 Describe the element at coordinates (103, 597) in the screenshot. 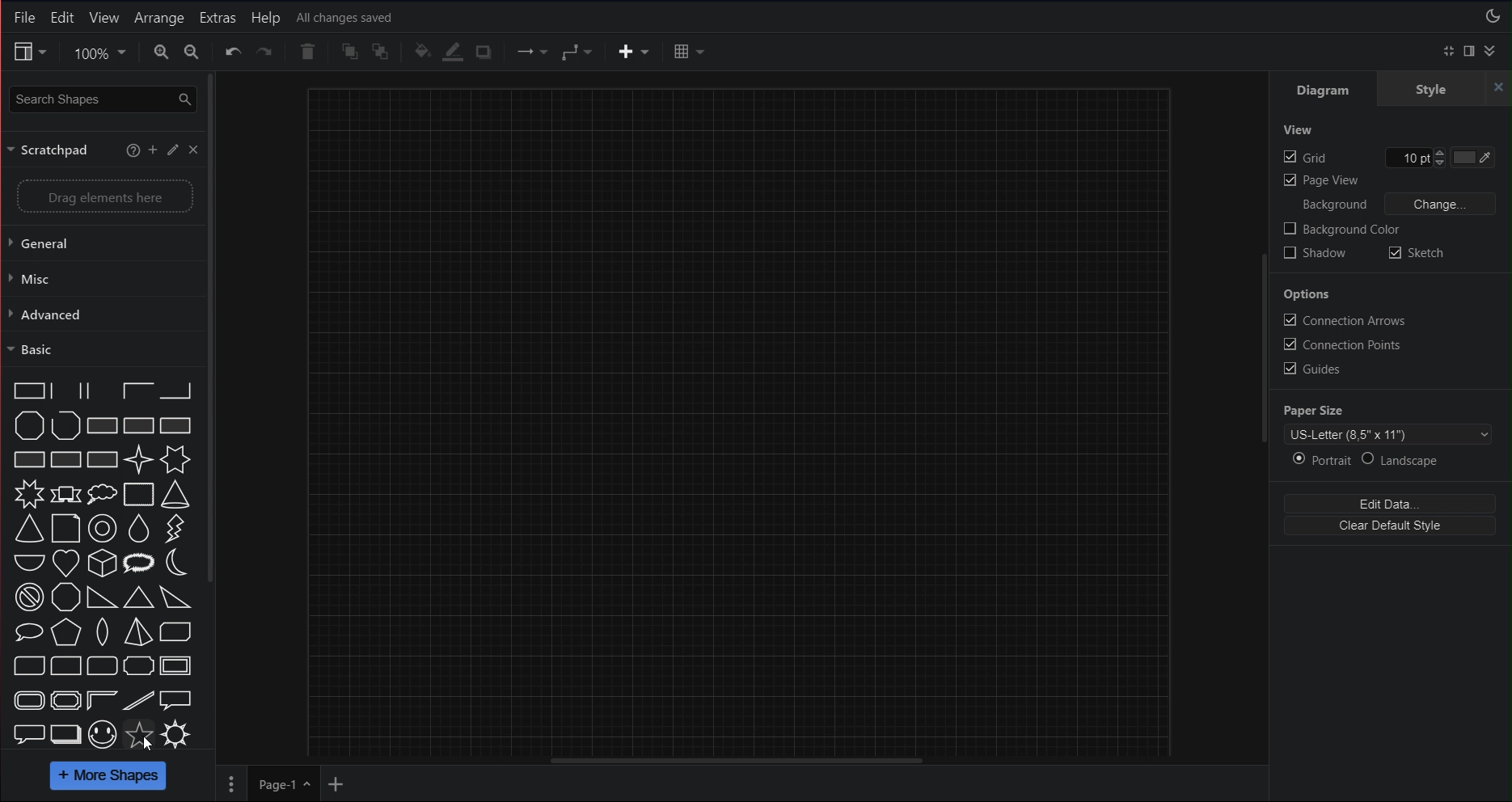

I see `orthogonal triangle` at that location.